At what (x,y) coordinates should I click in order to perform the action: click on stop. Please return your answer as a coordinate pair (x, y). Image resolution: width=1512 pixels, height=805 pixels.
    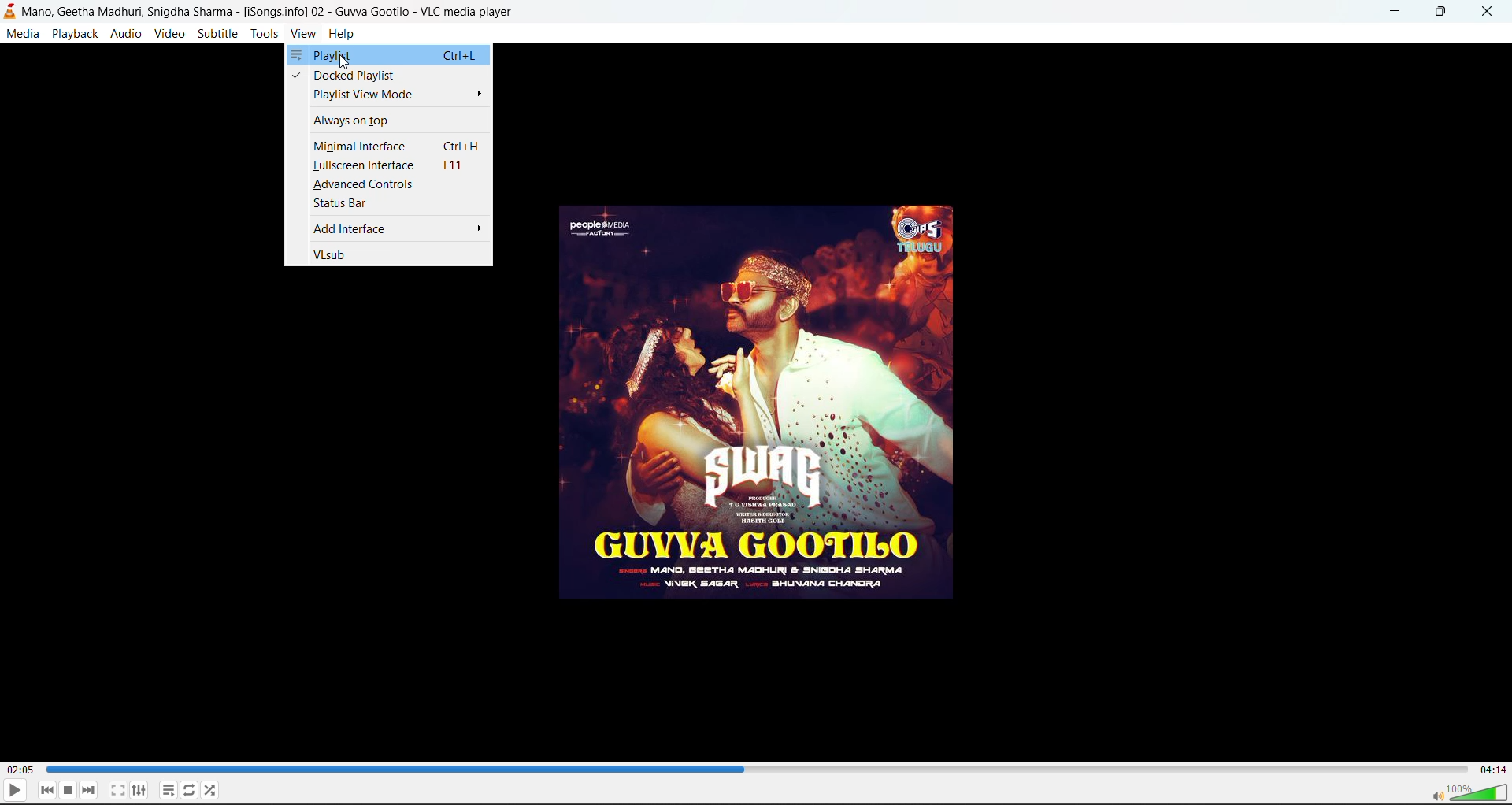
    Looking at the image, I should click on (69, 790).